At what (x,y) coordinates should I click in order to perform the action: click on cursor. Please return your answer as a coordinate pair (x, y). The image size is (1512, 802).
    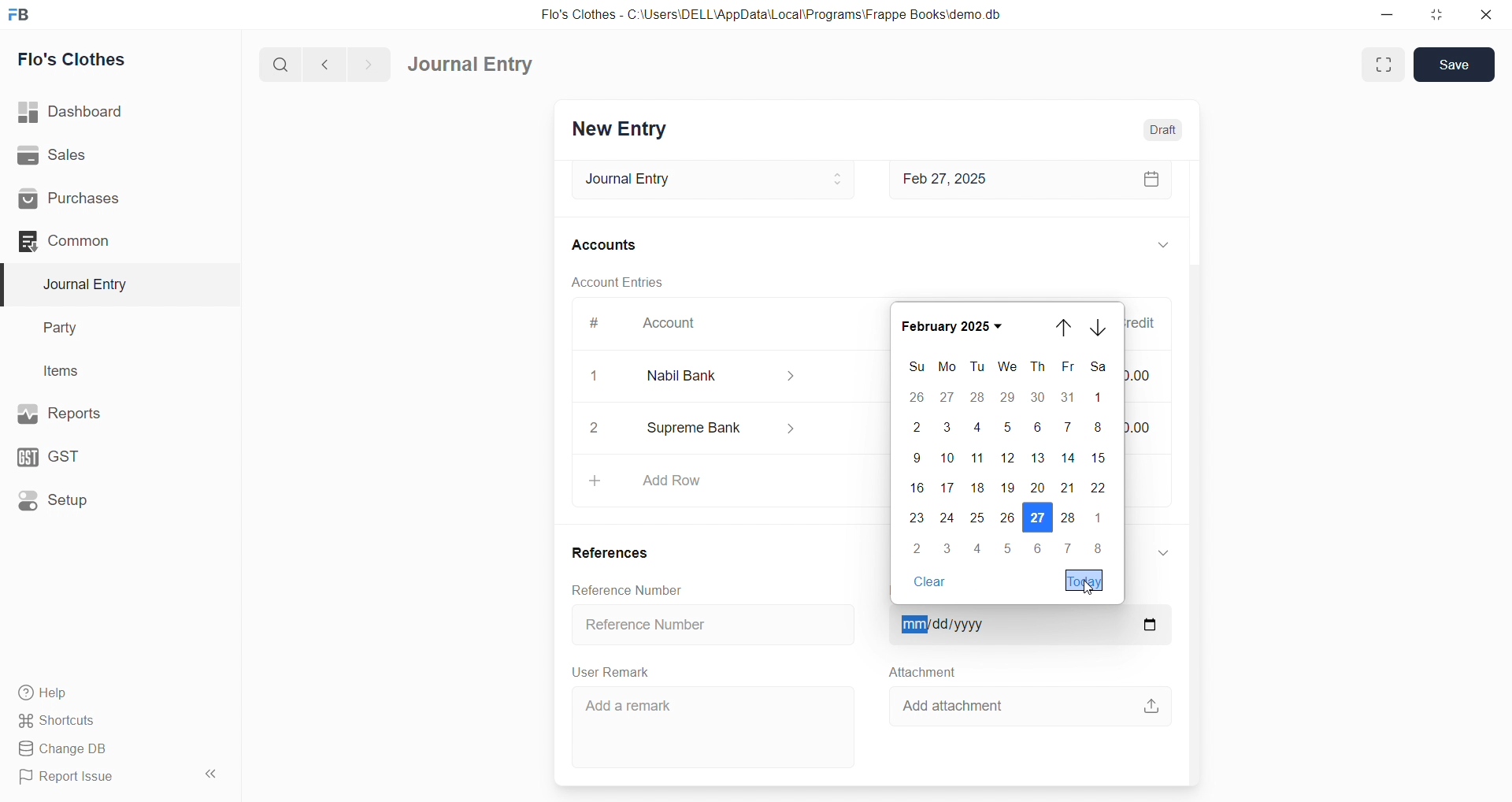
    Looking at the image, I should click on (1091, 589).